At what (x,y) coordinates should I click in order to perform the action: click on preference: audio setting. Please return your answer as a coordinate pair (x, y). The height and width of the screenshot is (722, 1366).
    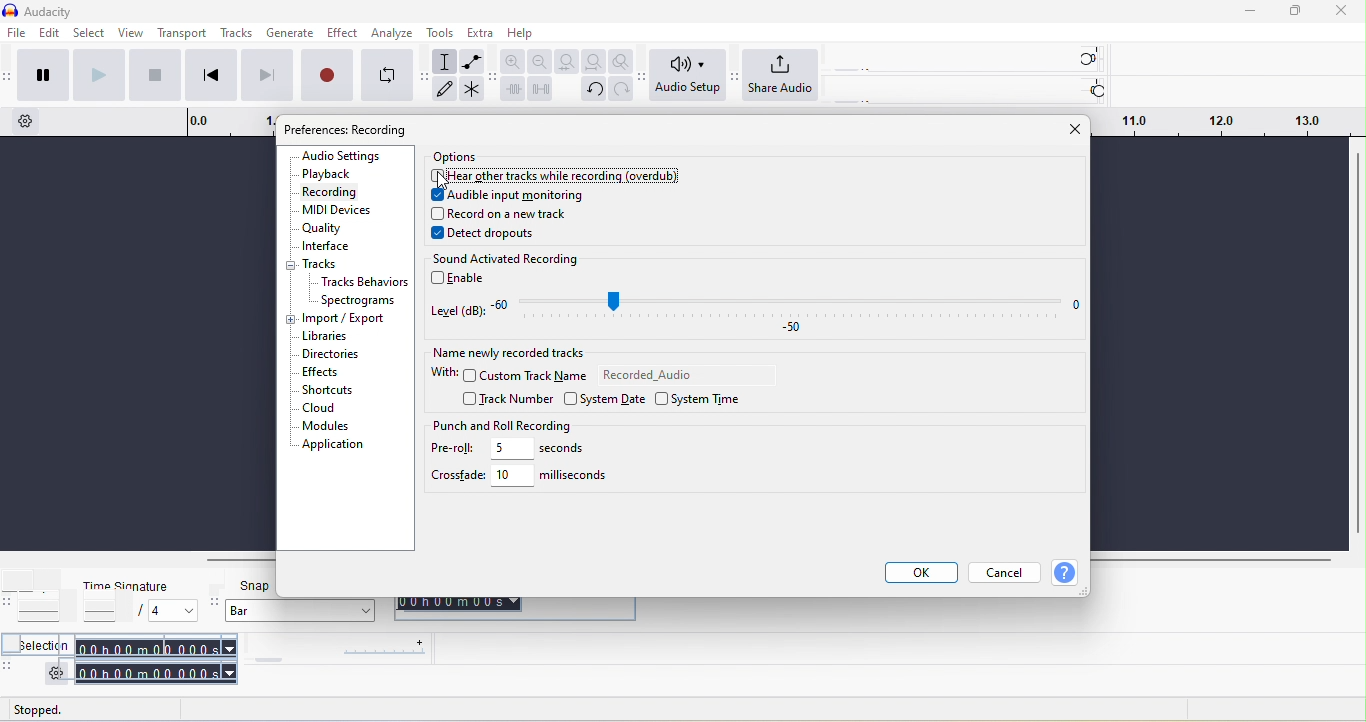
    Looking at the image, I should click on (362, 130).